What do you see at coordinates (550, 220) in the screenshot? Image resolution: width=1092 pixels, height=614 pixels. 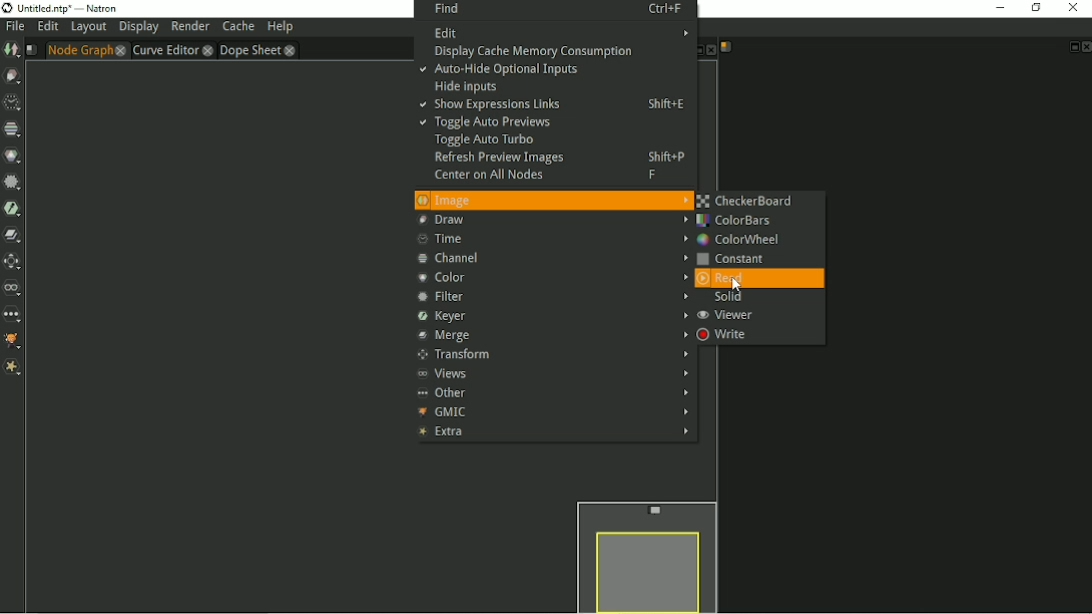 I see `Draw` at bounding box center [550, 220].